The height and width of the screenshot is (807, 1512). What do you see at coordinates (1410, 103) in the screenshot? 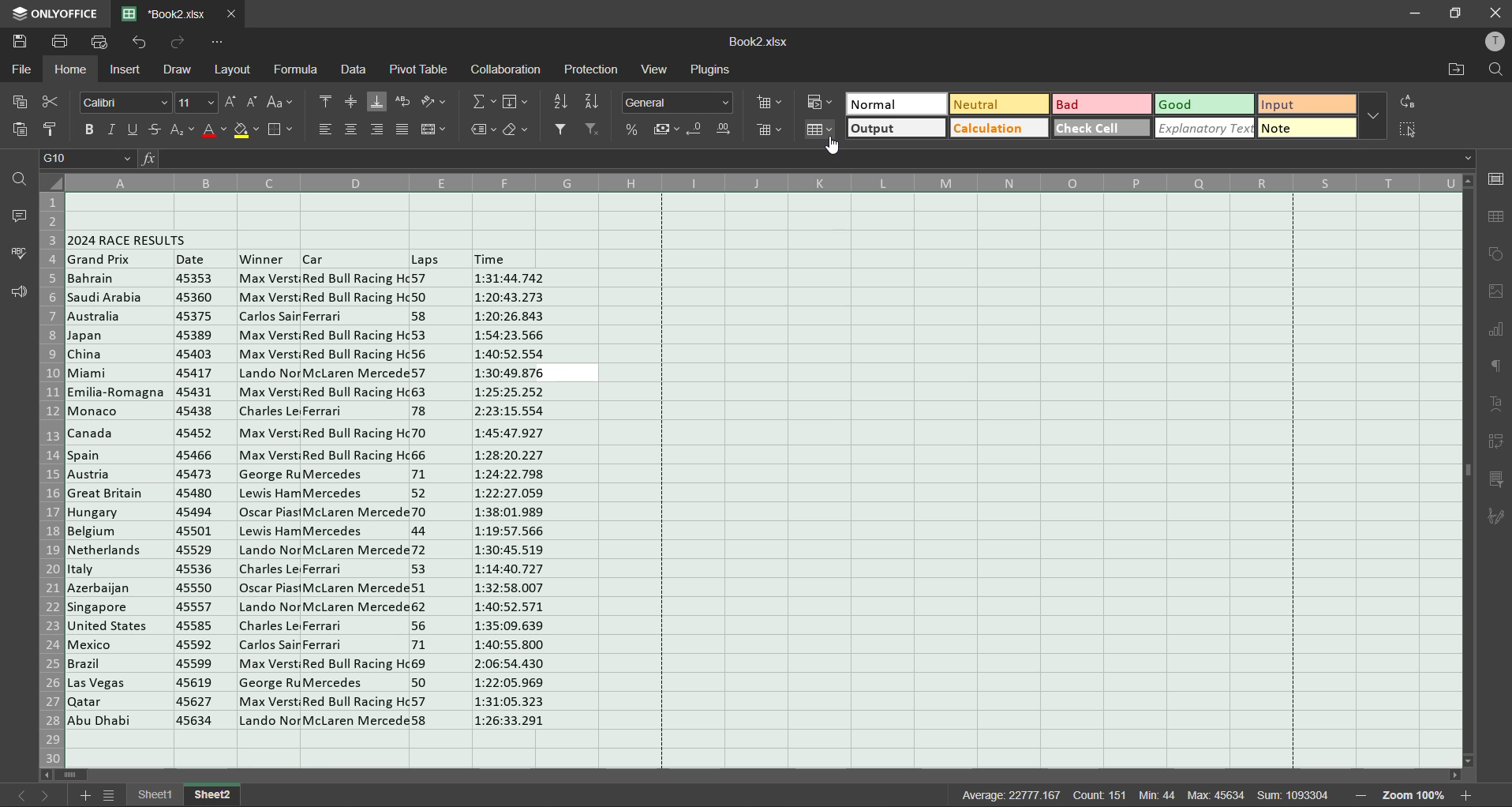
I see `replace` at bounding box center [1410, 103].